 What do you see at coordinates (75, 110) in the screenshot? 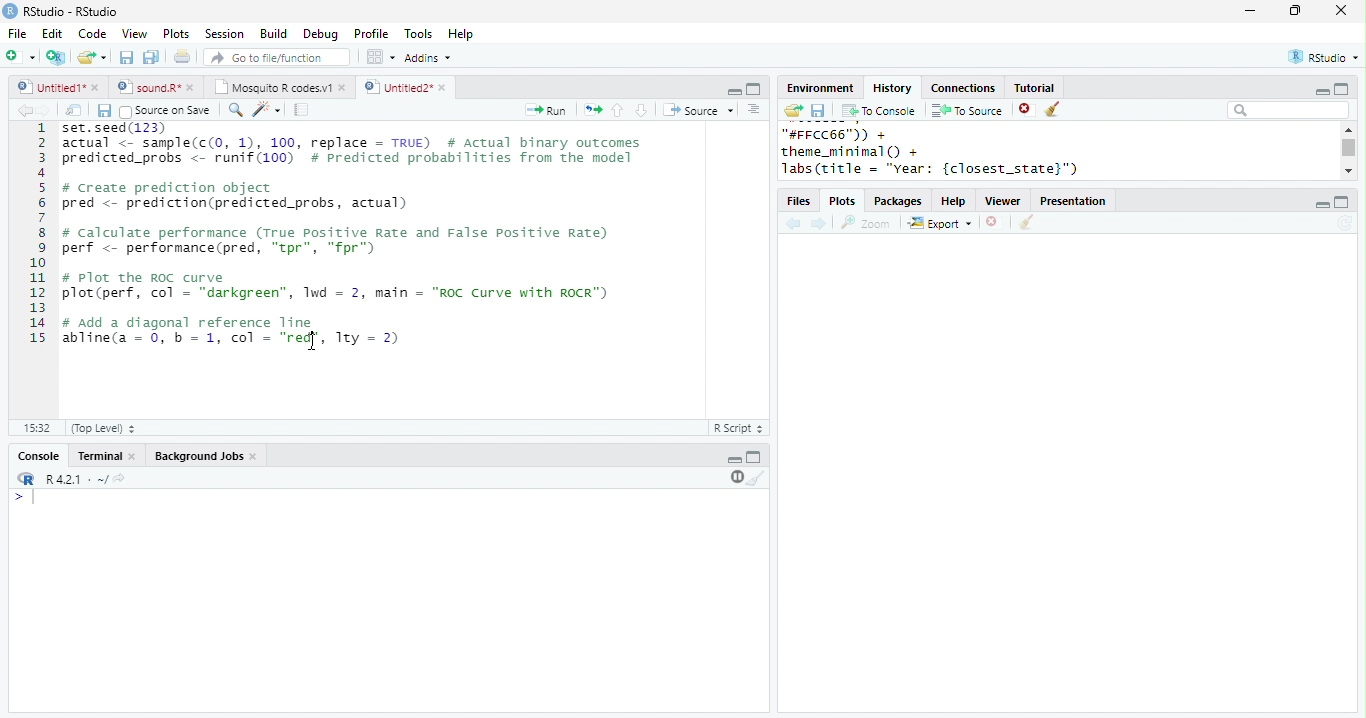
I see `show in new window` at bounding box center [75, 110].